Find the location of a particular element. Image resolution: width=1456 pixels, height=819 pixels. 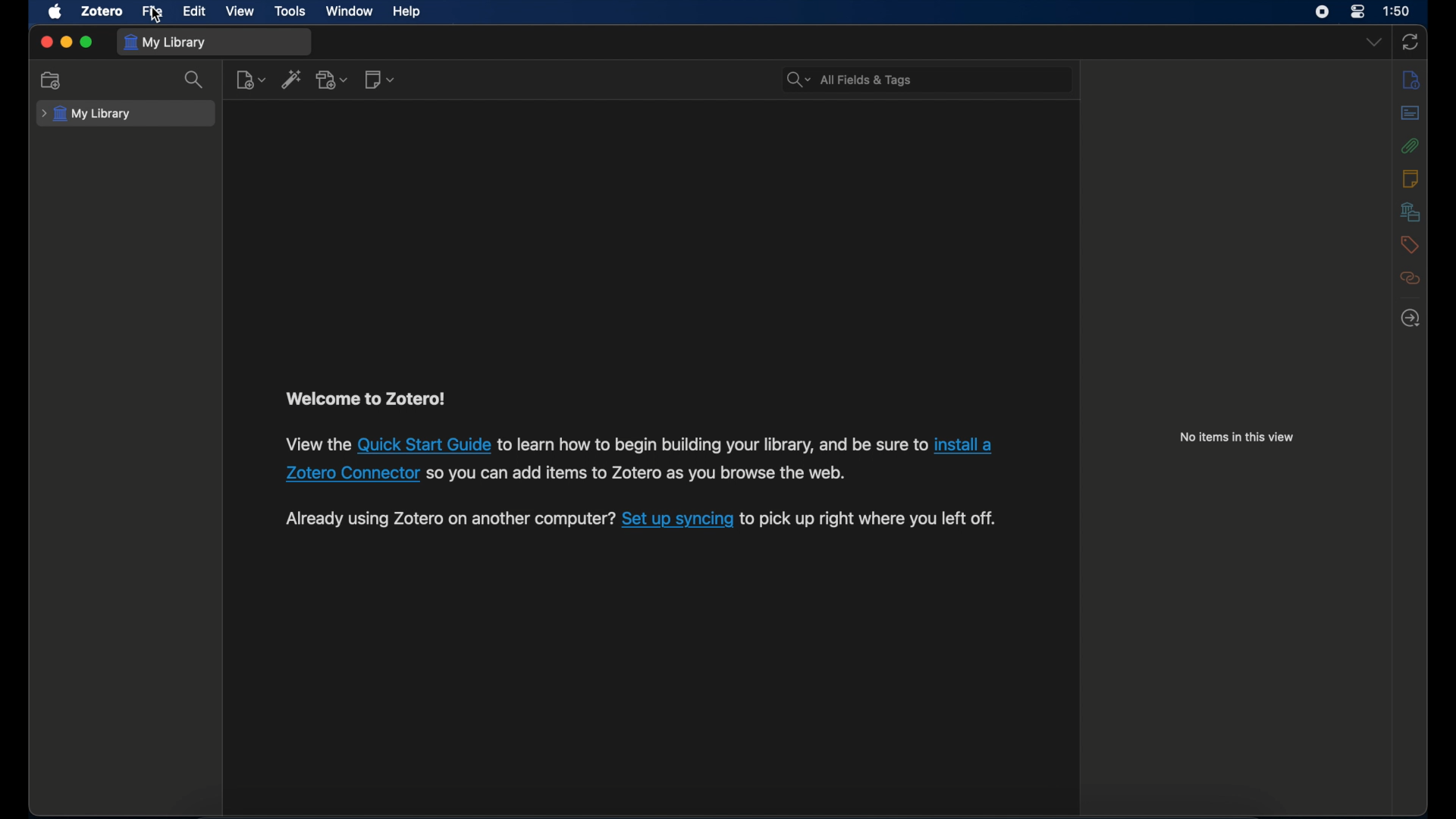

file is located at coordinates (153, 11).